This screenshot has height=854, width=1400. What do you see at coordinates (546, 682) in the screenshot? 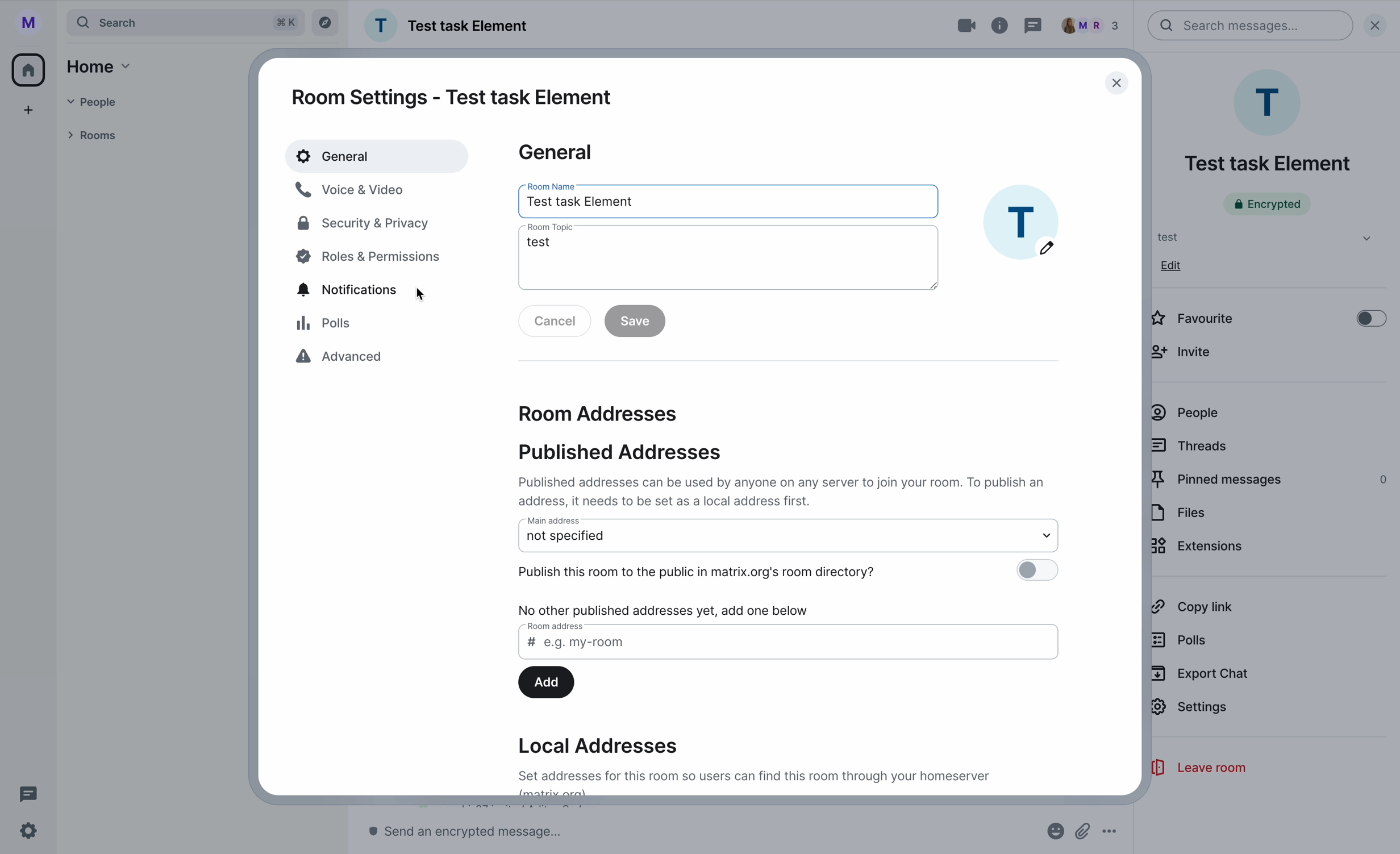
I see `add button` at bounding box center [546, 682].